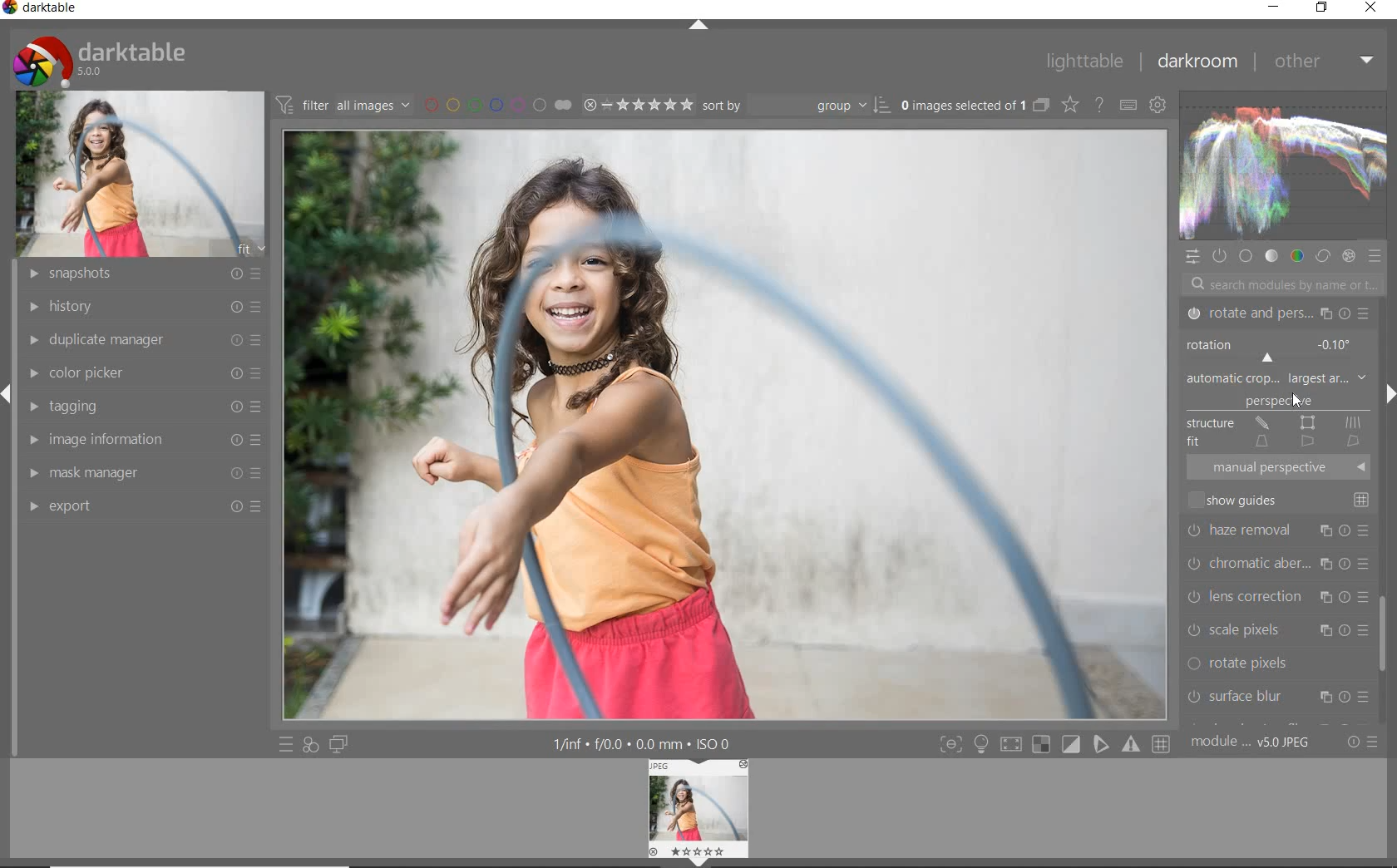 The height and width of the screenshot is (868, 1397). Describe the element at coordinates (497, 104) in the screenshot. I see `filter by image color label` at that location.